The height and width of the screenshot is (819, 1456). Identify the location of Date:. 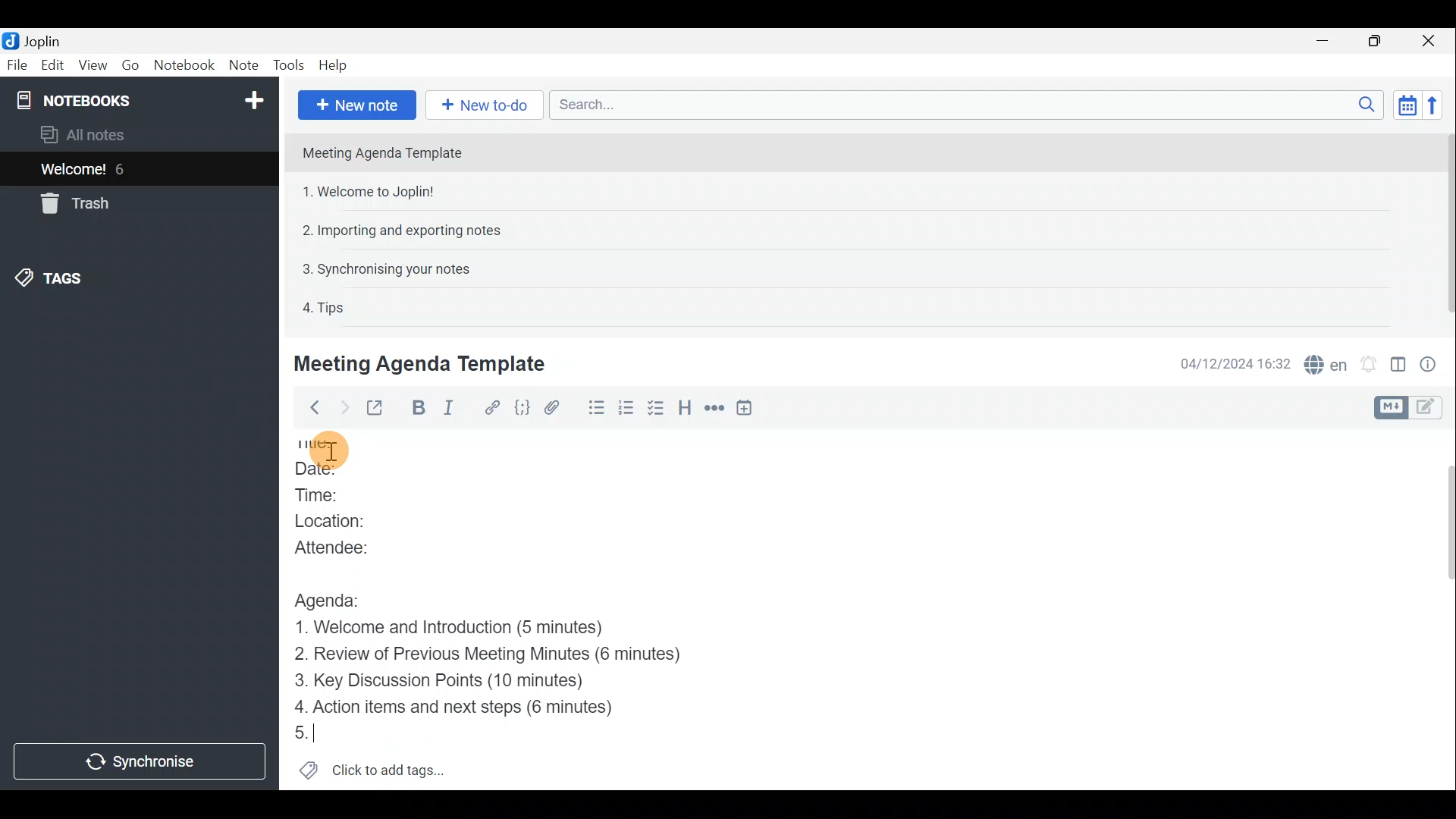
(334, 470).